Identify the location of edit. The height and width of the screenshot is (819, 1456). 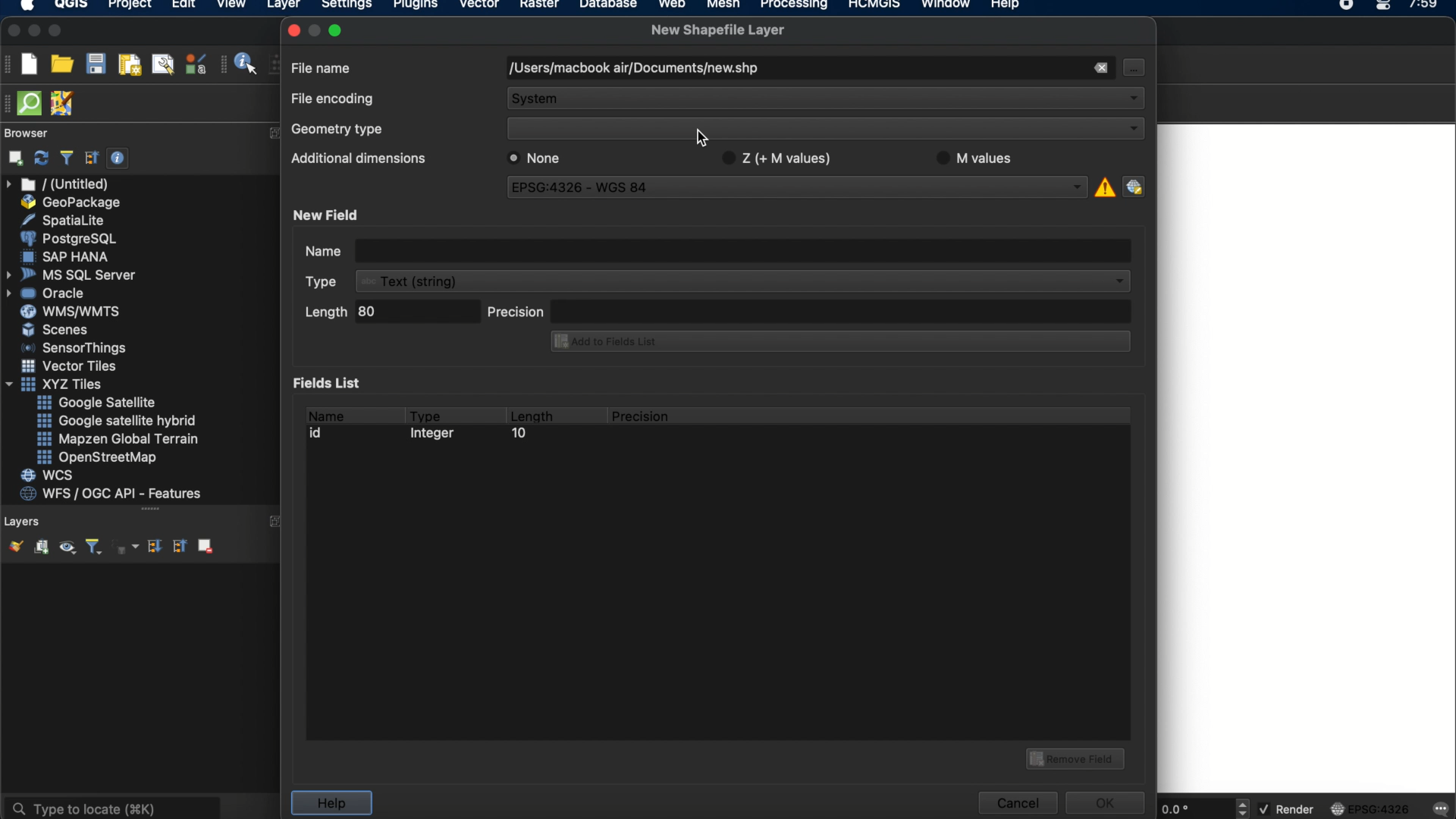
(184, 6).